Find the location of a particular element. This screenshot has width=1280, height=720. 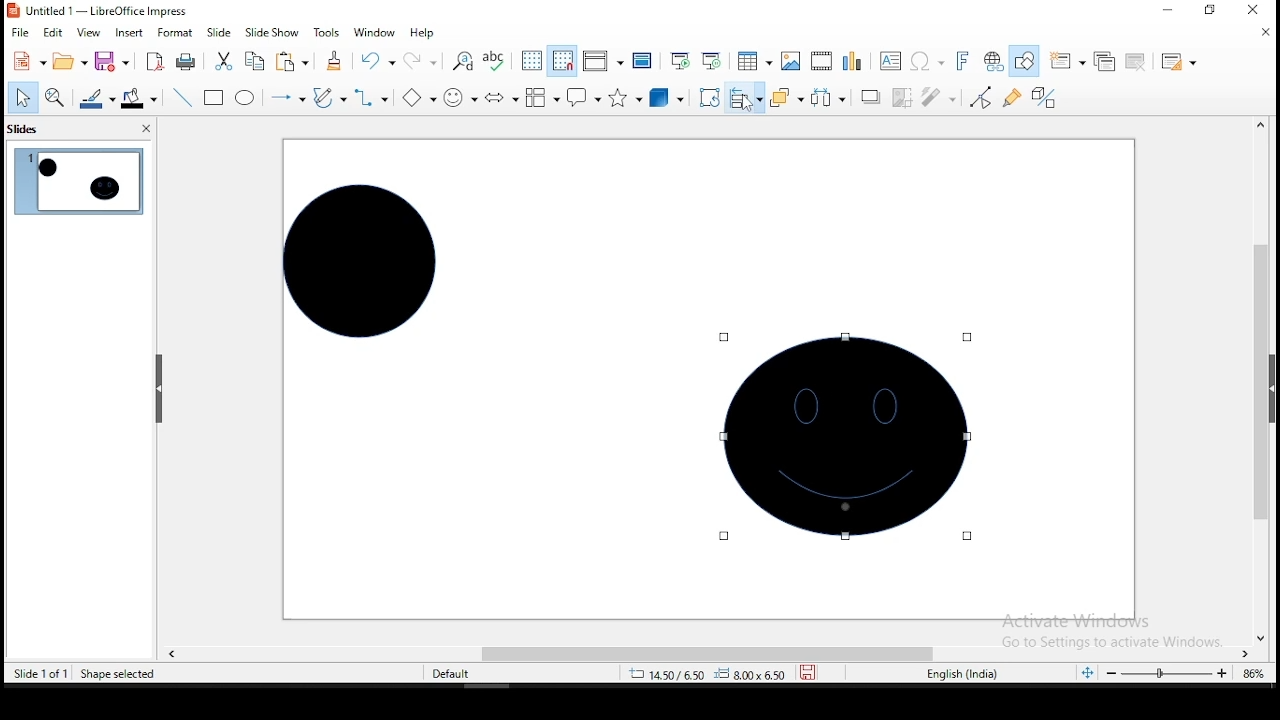

object (selected) is located at coordinates (356, 258).